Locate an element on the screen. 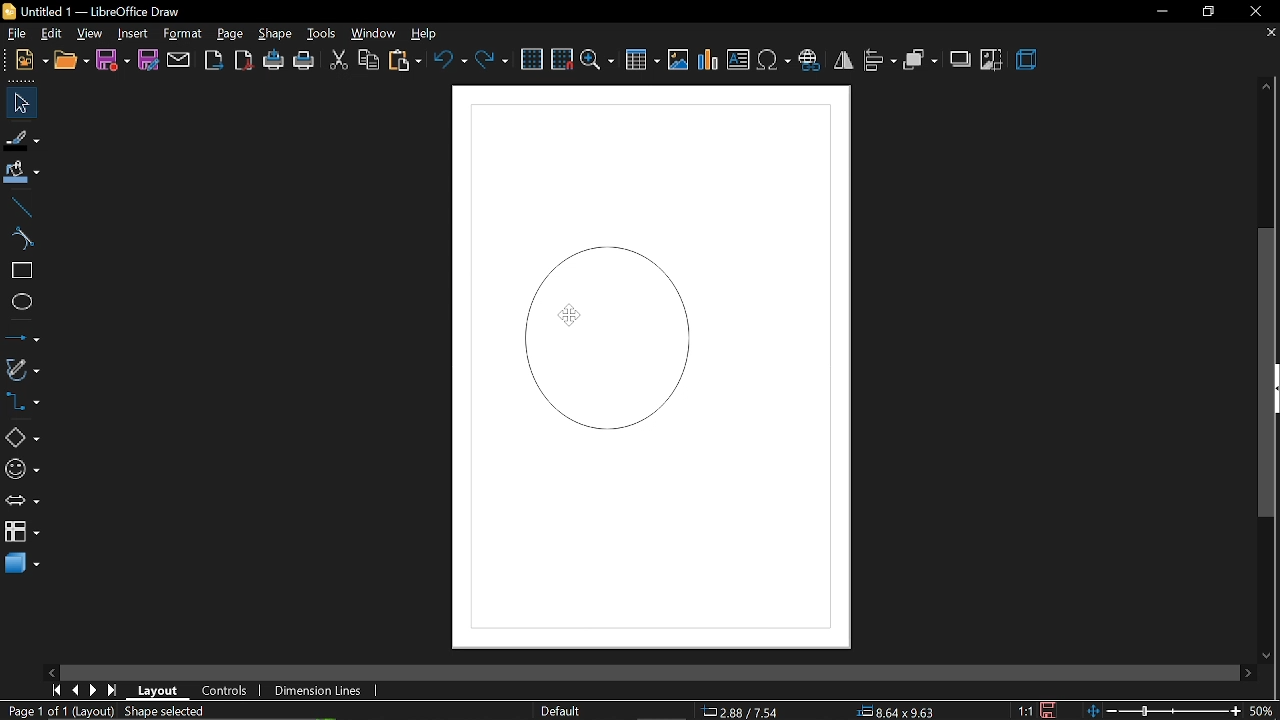 The width and height of the screenshot is (1280, 720). minimize is located at coordinates (1162, 12).